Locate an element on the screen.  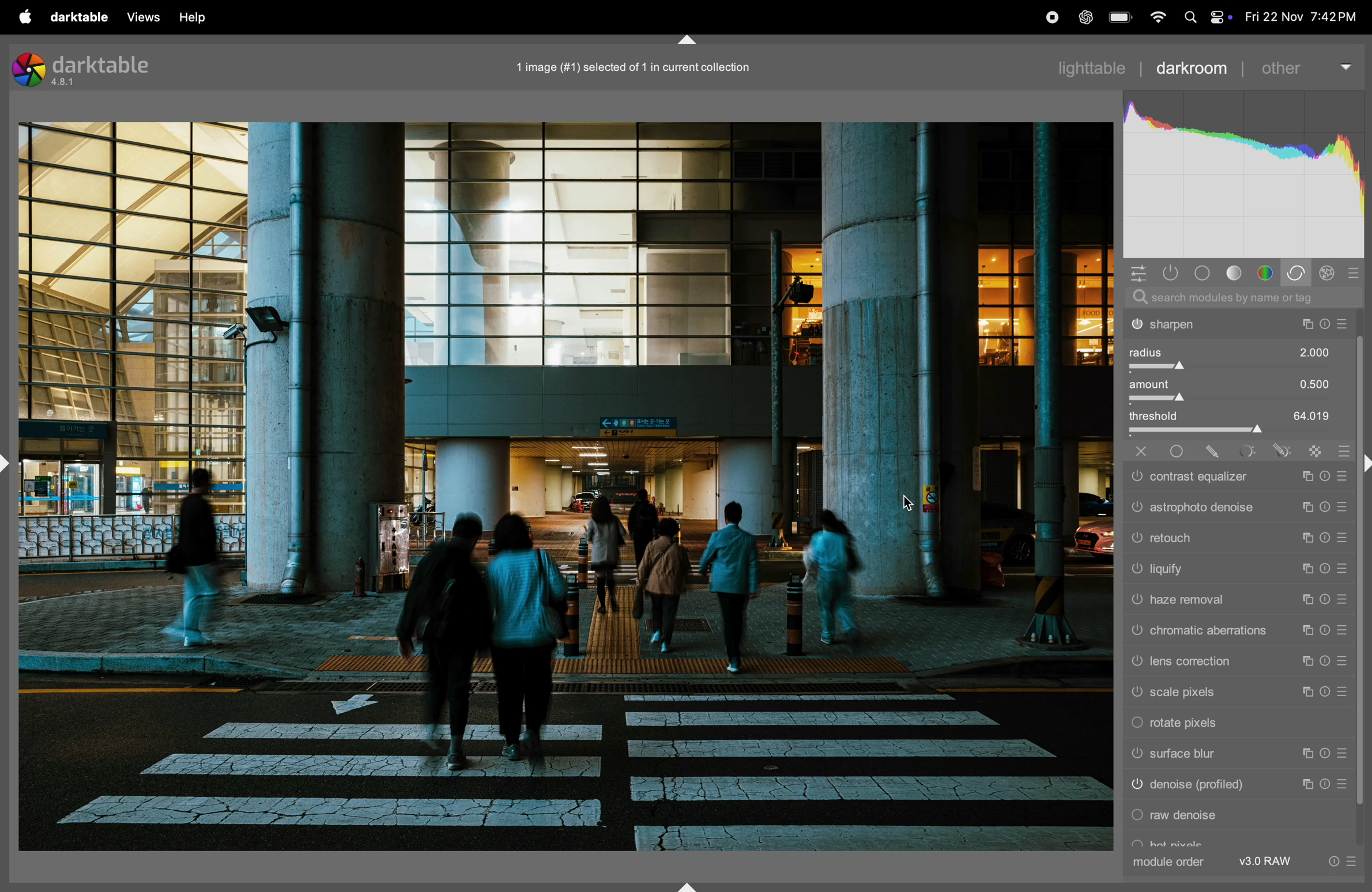
quick acess panel is located at coordinates (1139, 273).